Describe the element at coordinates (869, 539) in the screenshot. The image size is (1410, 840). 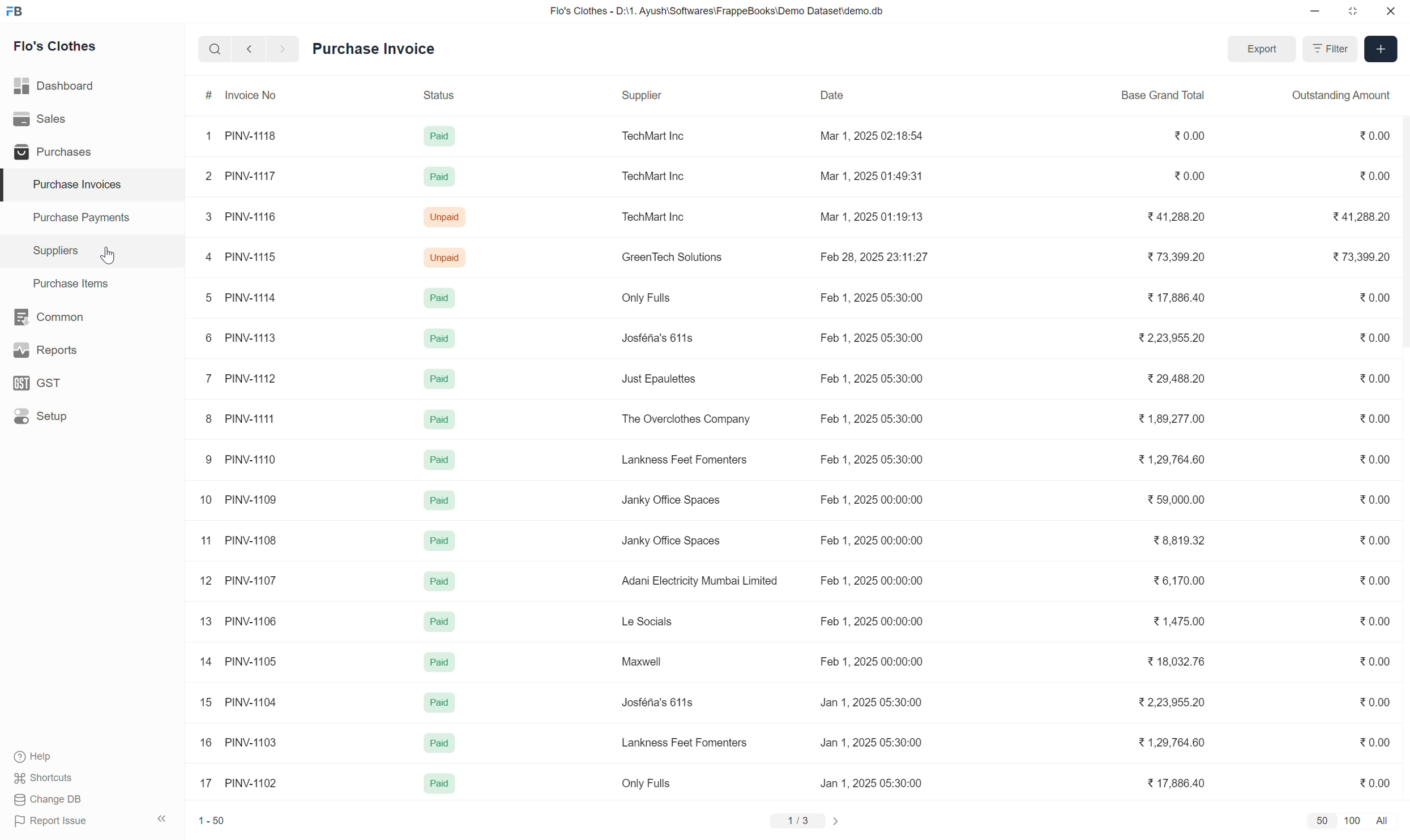
I see `Feb 1, 2025 00:00:00` at that location.